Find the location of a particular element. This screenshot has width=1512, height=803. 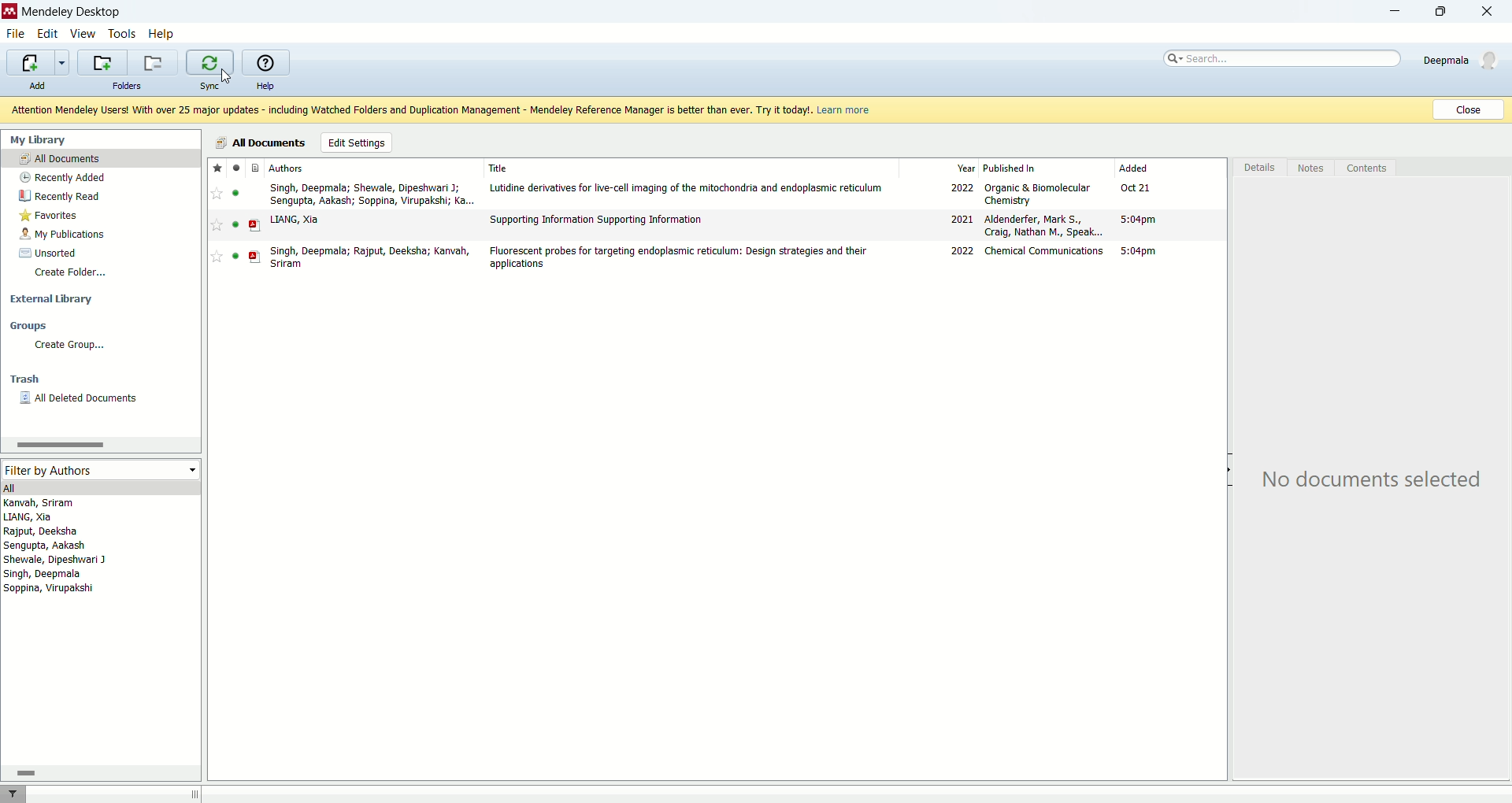

file is located at coordinates (17, 35).